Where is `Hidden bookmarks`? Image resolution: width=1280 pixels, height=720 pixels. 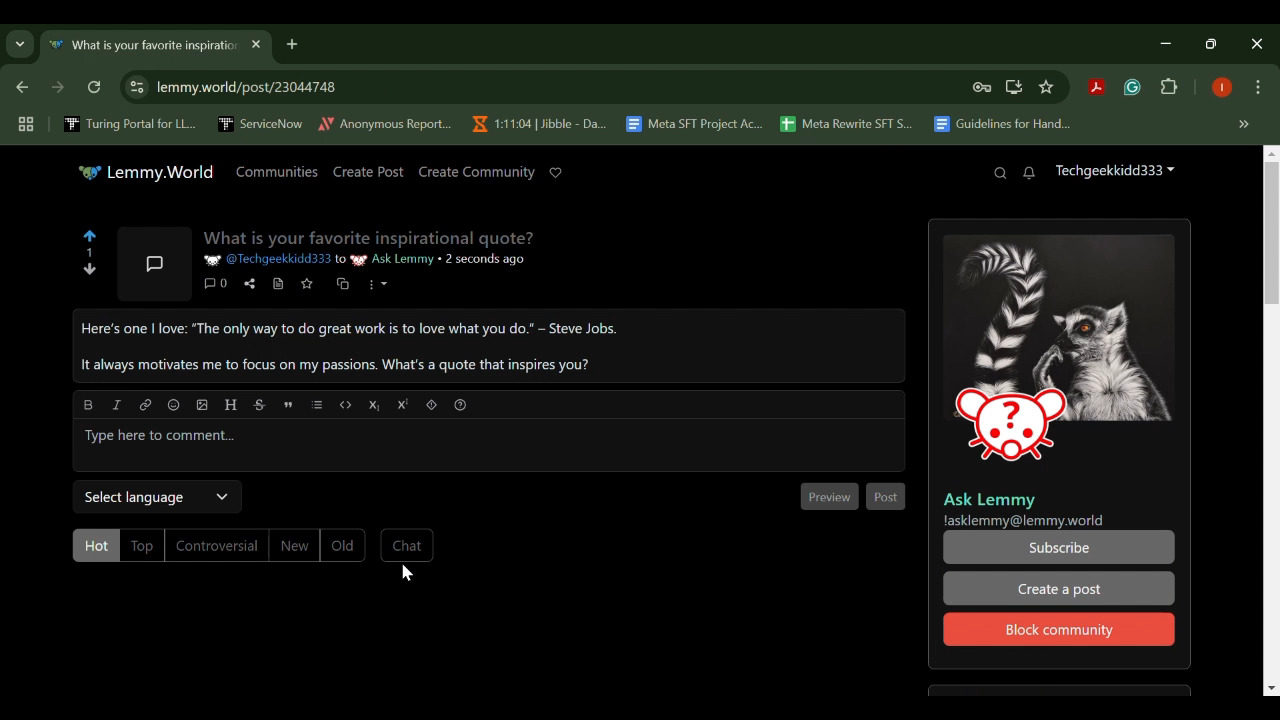 Hidden bookmarks is located at coordinates (1246, 125).